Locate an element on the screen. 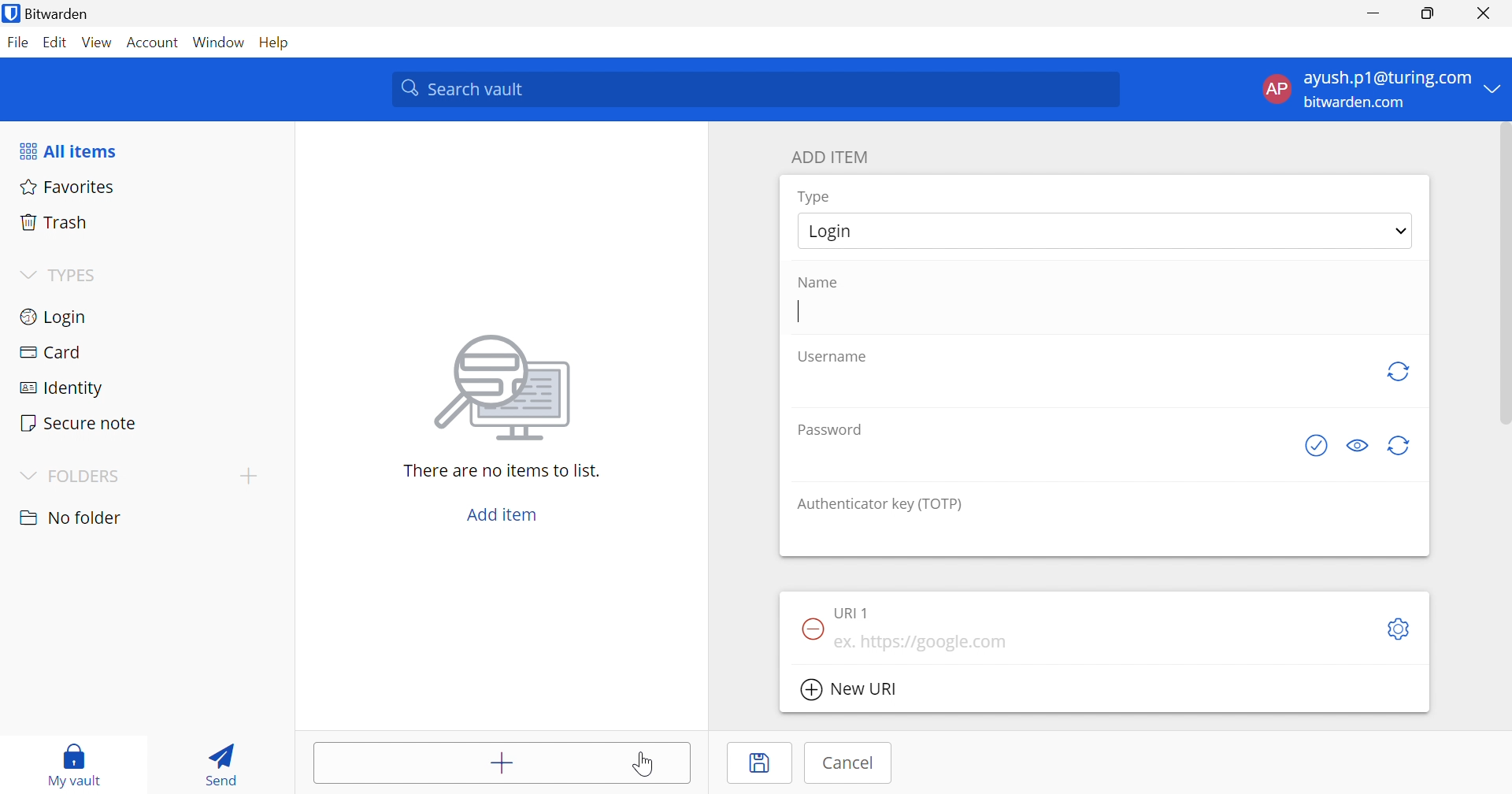 This screenshot has height=794, width=1512. AP is located at coordinates (1275, 89).